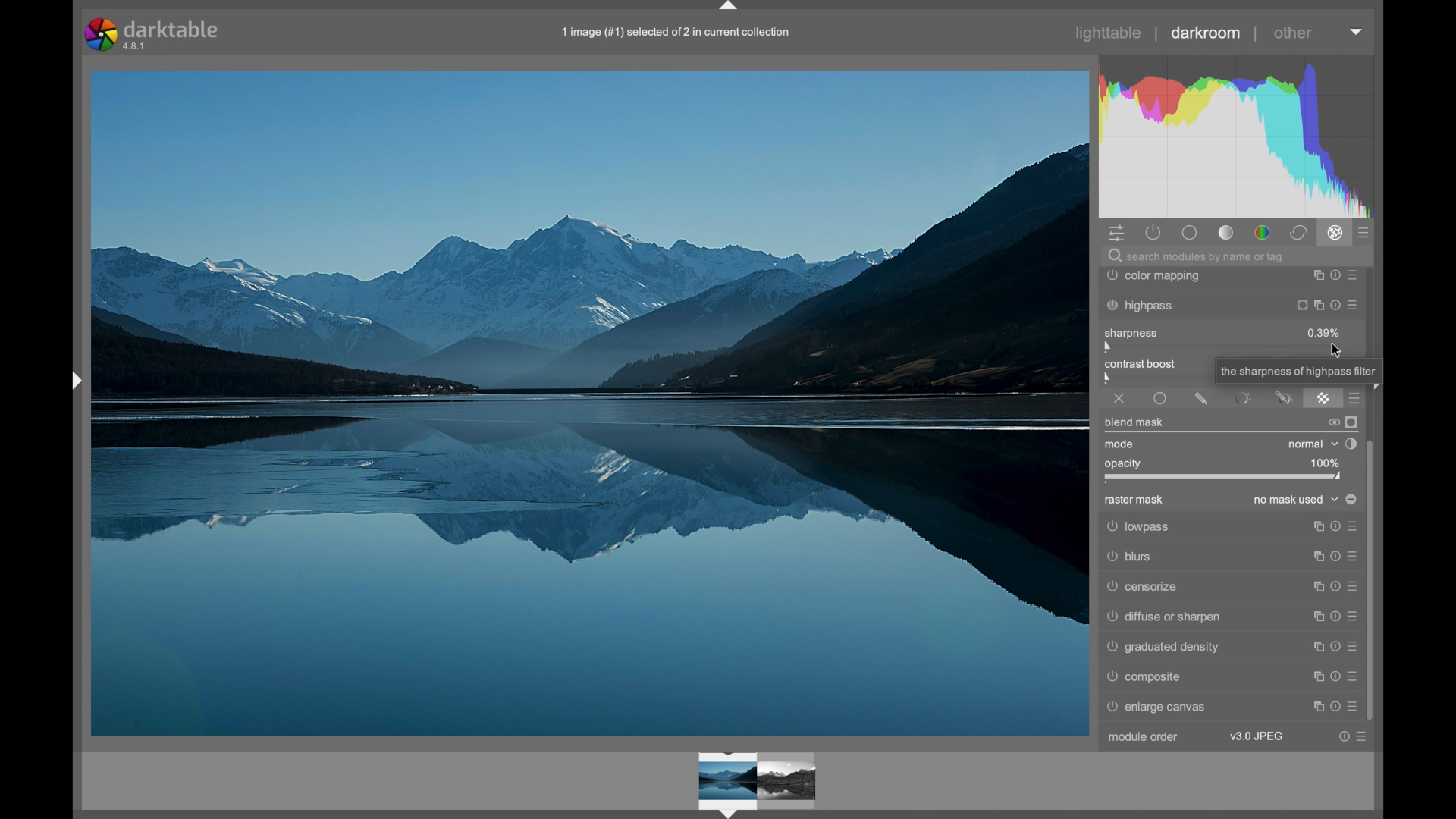 The image size is (1456, 819). What do you see at coordinates (1335, 707) in the screenshot?
I see `more options` at bounding box center [1335, 707].